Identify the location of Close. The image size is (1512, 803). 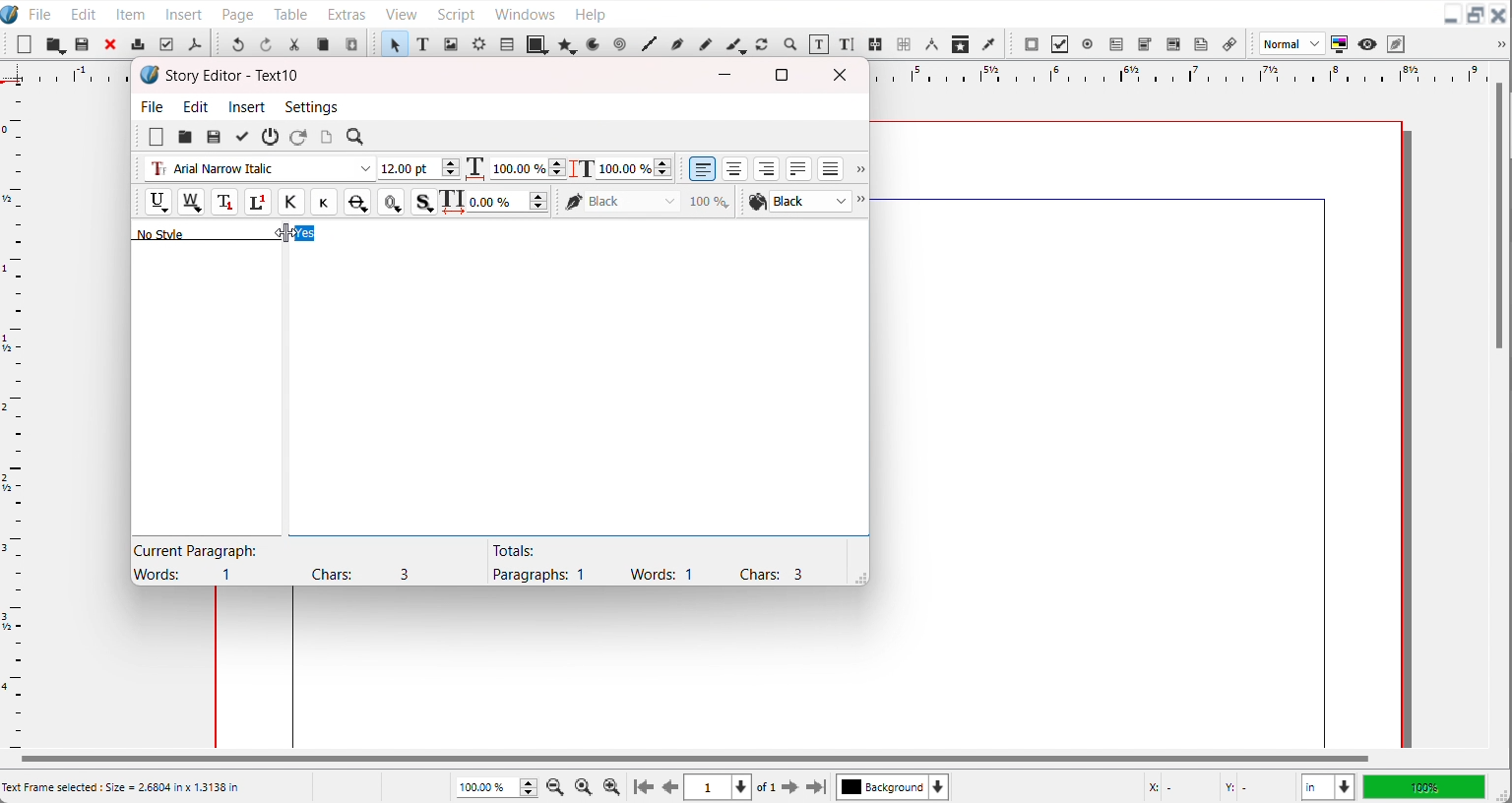
(111, 43).